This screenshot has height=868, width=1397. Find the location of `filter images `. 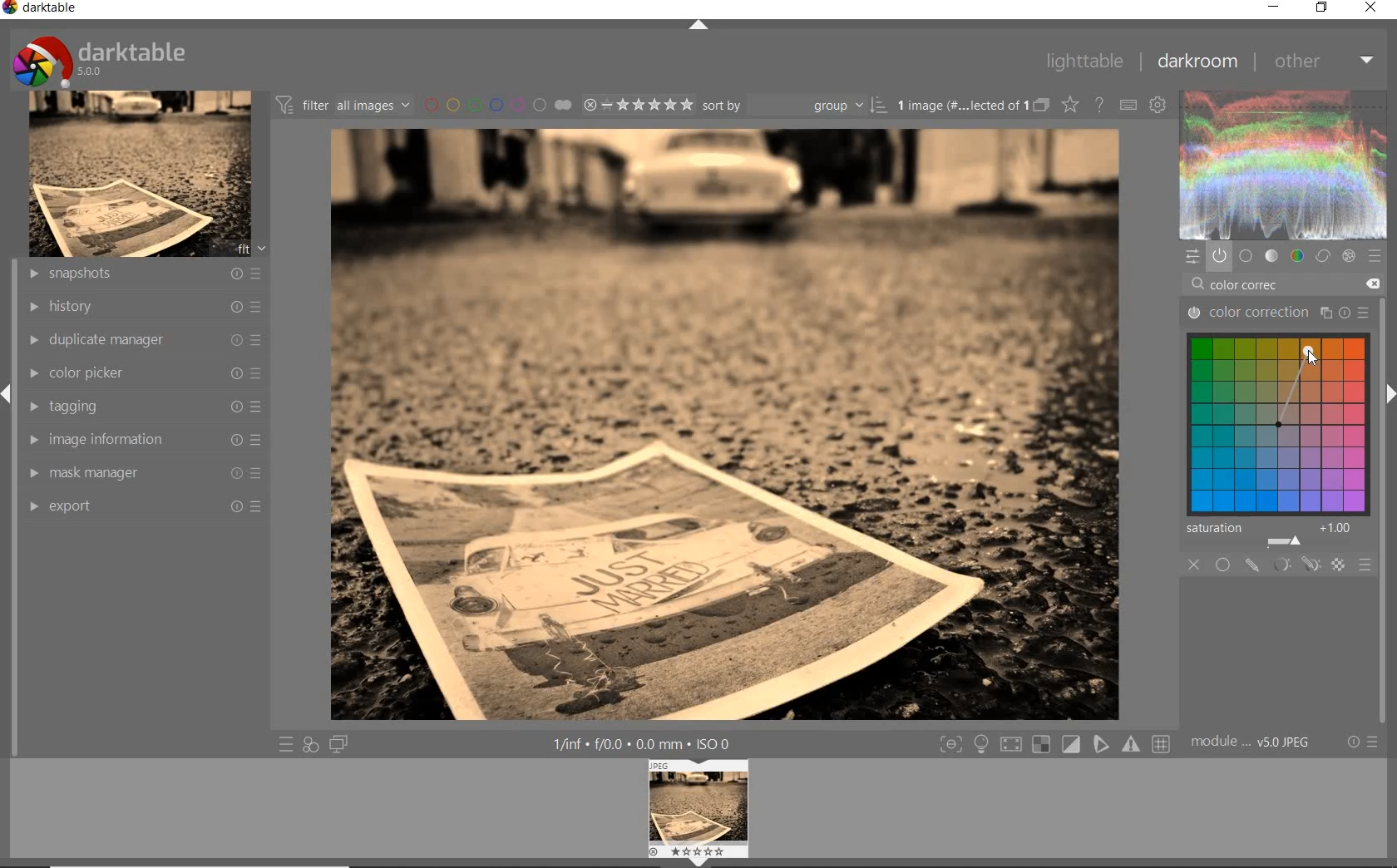

filter images  is located at coordinates (343, 104).